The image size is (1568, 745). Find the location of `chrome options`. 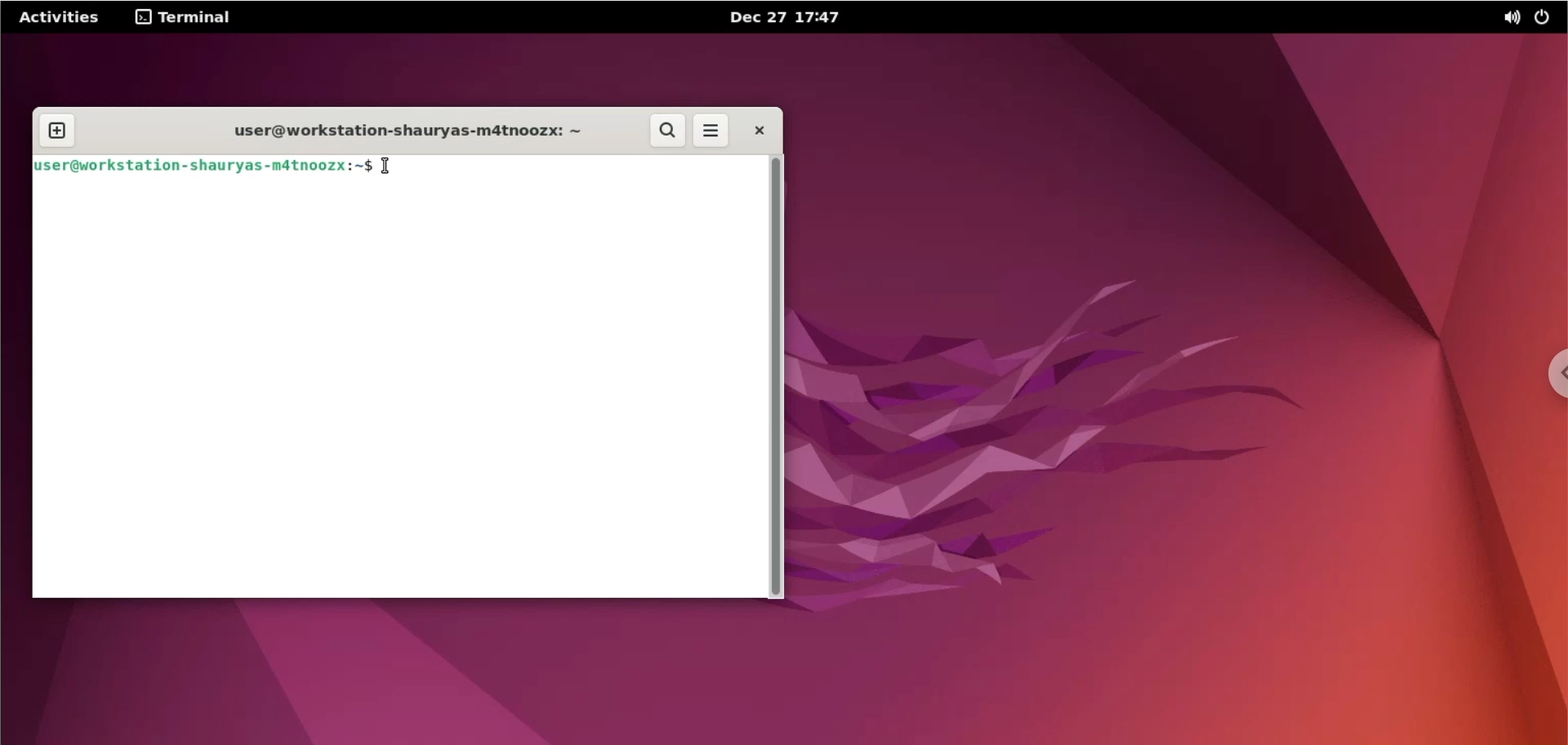

chrome options is located at coordinates (1549, 373).